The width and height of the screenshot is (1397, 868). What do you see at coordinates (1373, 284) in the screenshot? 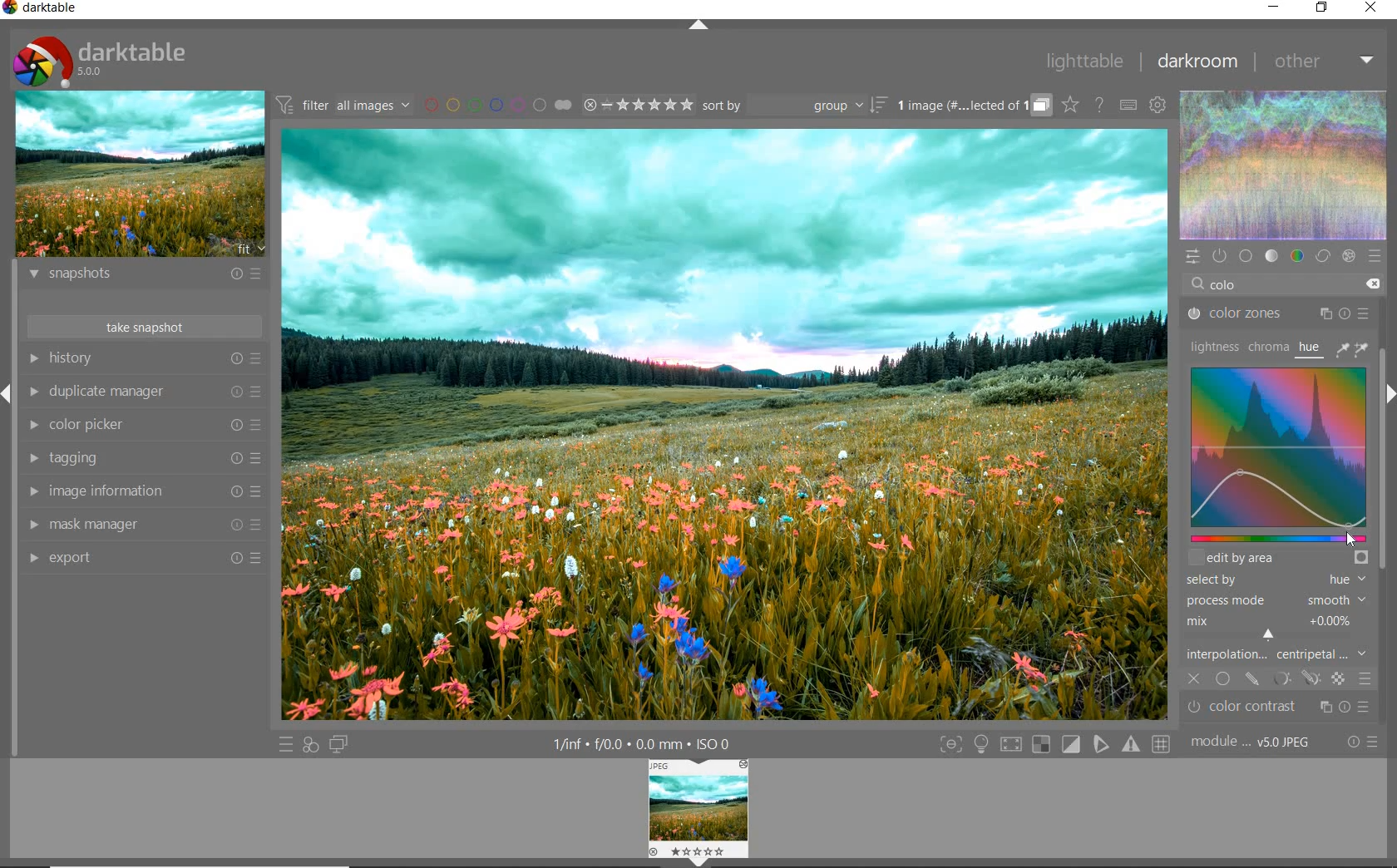
I see `delete` at bounding box center [1373, 284].